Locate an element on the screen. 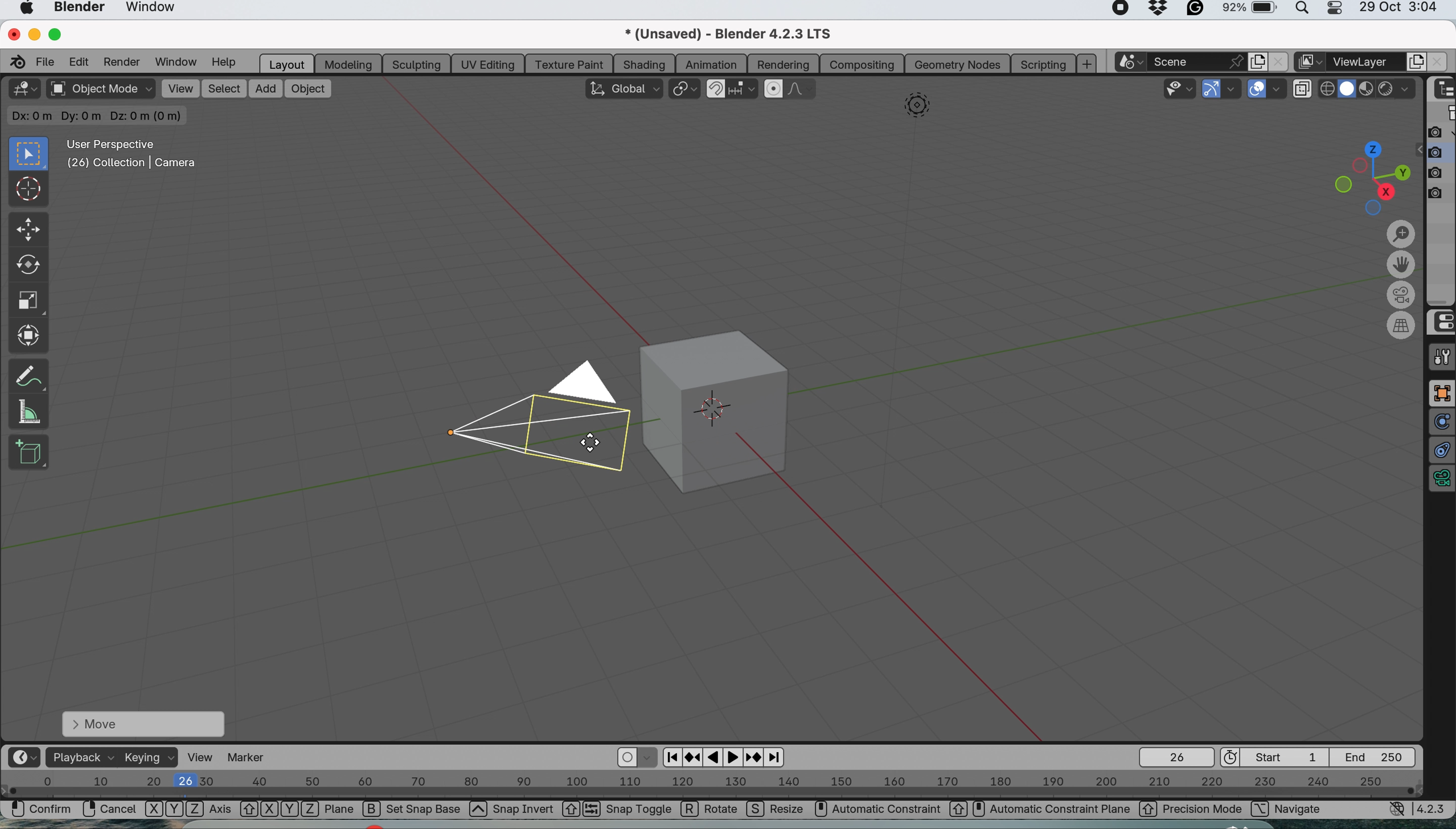 Image resolution: width=1456 pixels, height=829 pixels. snap invert is located at coordinates (535, 811).